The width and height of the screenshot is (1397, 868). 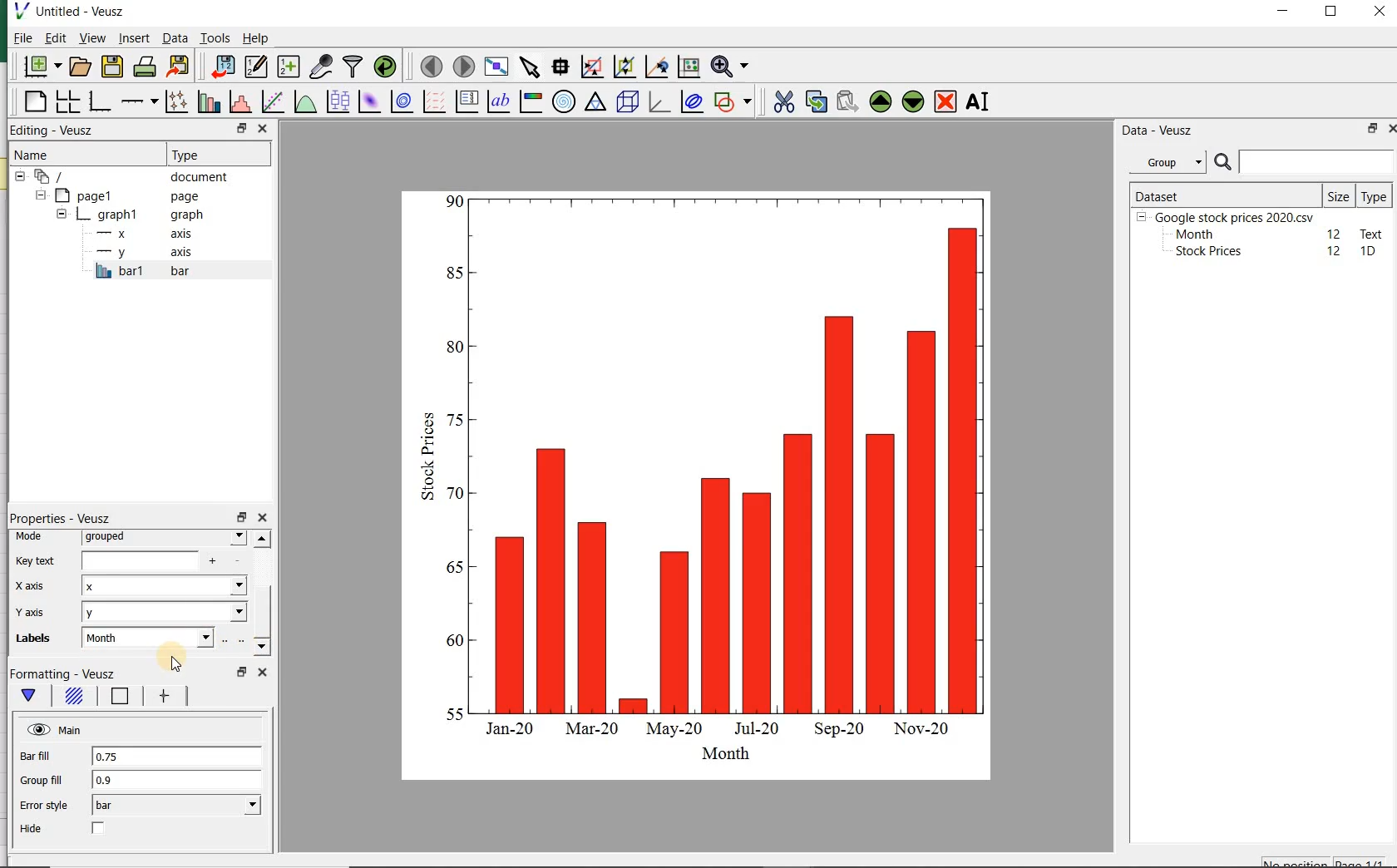 I want to click on 1D, so click(x=1370, y=252).